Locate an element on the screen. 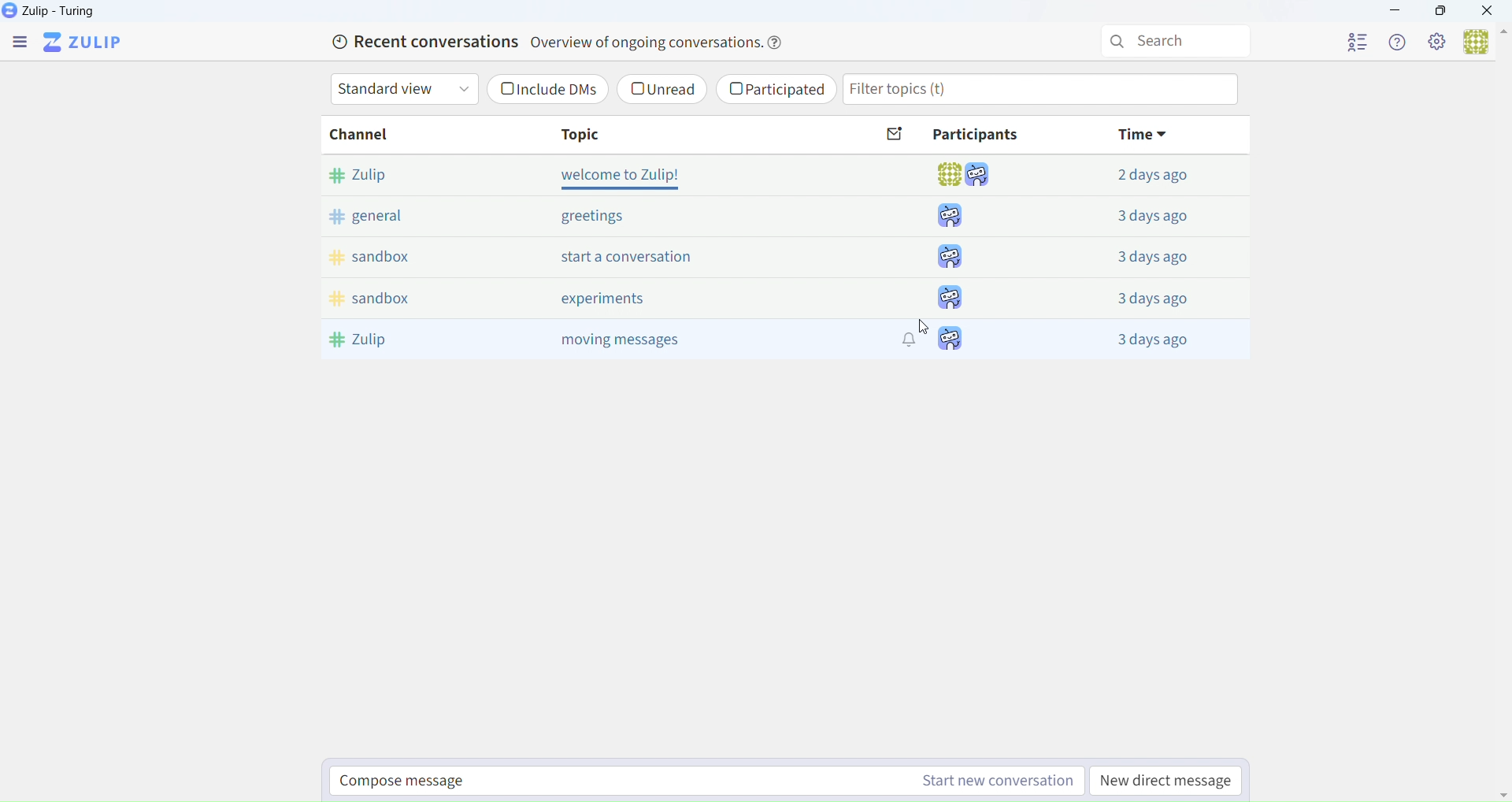 The height and width of the screenshot is (802, 1512). Recent Conversations tittle is located at coordinates (562, 43).